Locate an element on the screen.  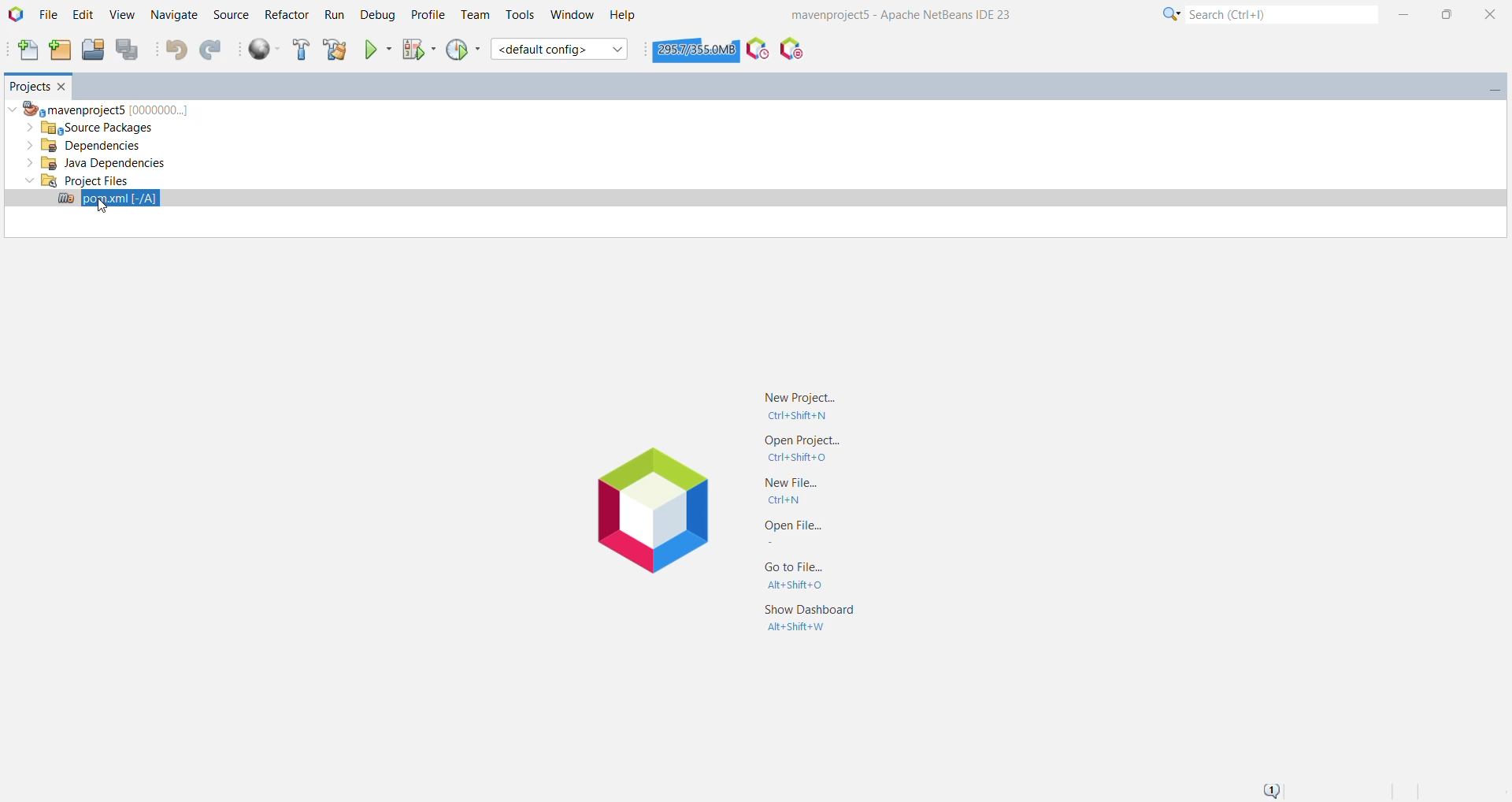
cursor is located at coordinates (101, 206).